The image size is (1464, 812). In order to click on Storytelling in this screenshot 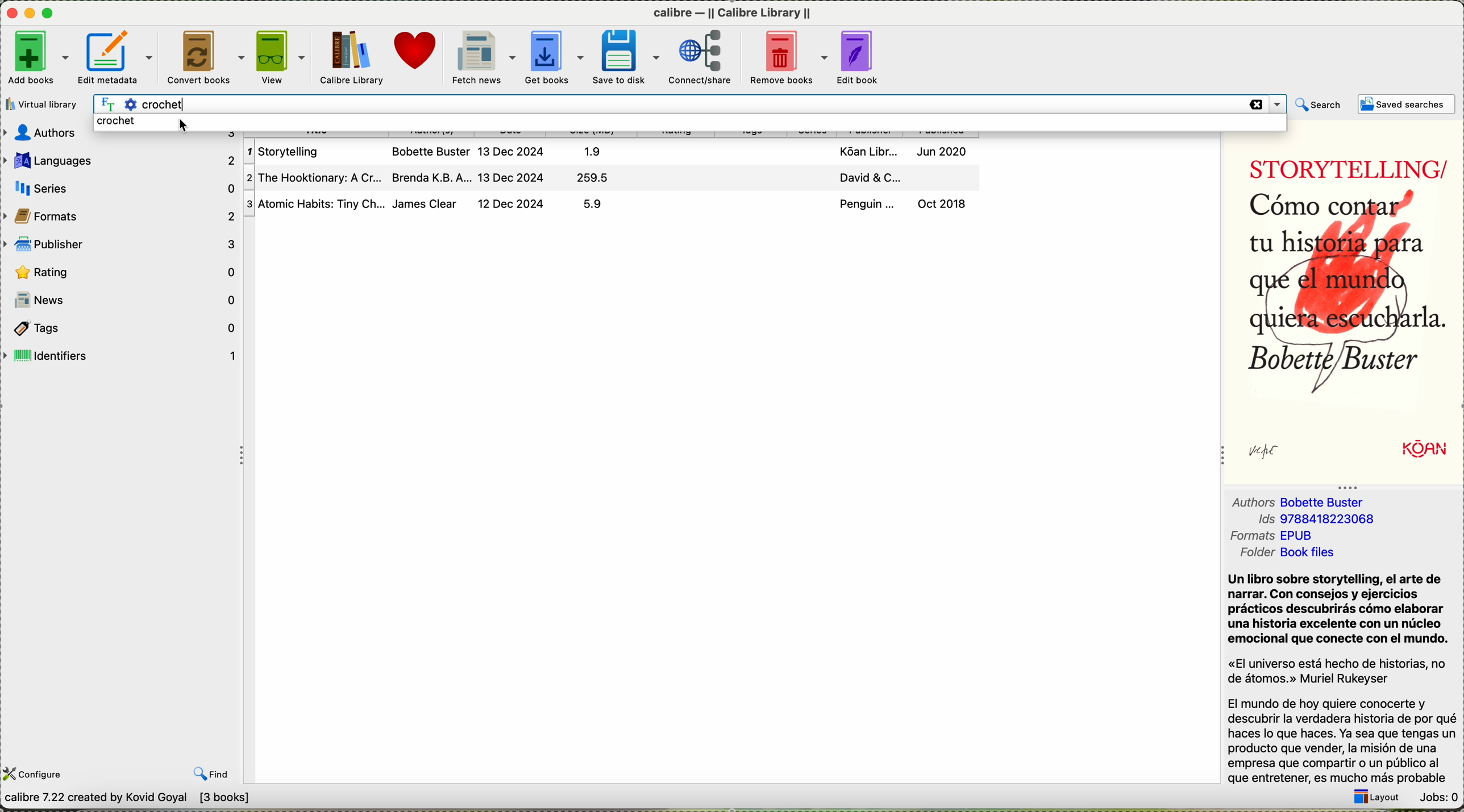, I will do `click(316, 151)`.